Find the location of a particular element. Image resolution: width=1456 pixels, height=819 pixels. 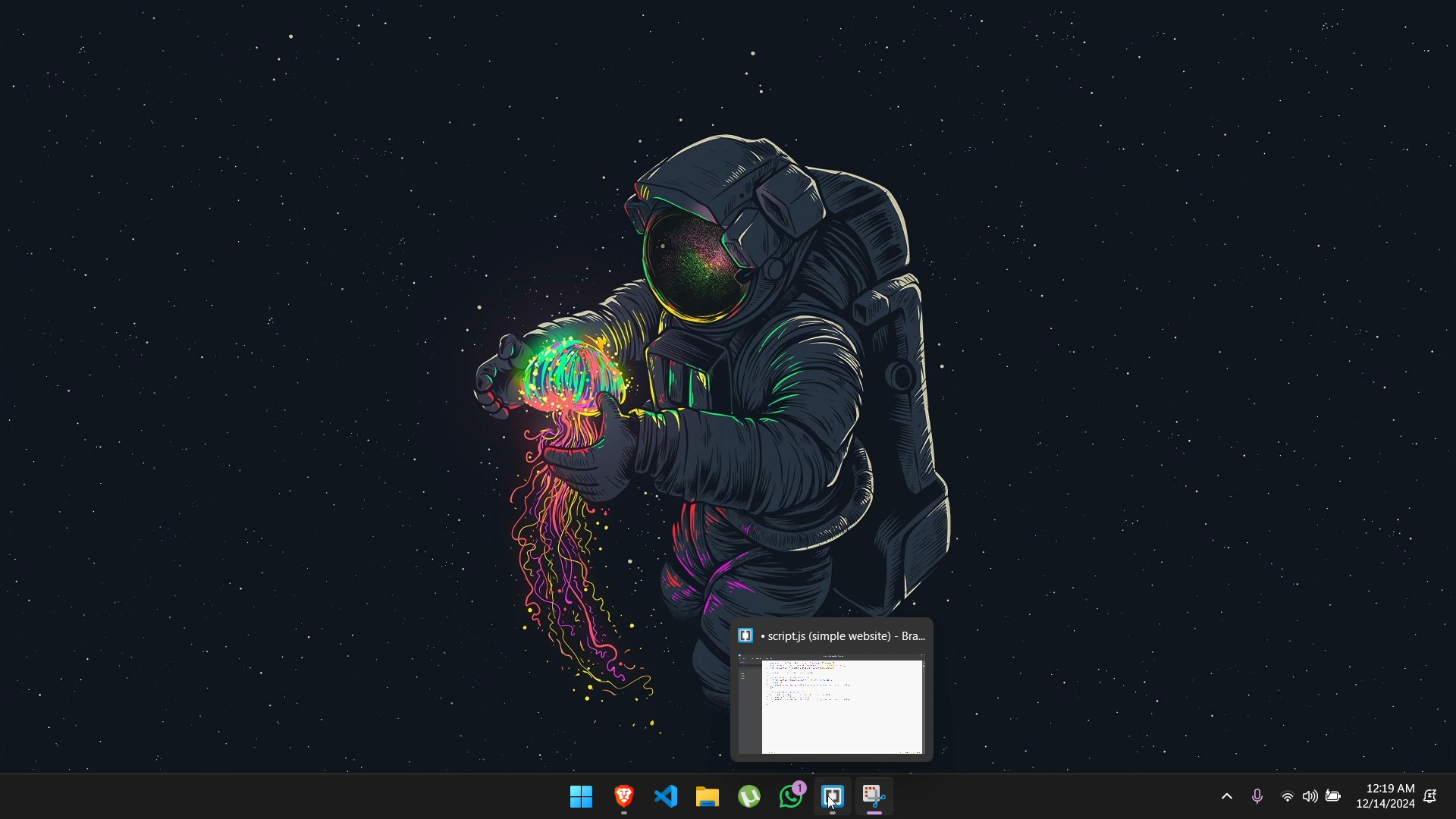

12/14/2024 is located at coordinates (1386, 805).